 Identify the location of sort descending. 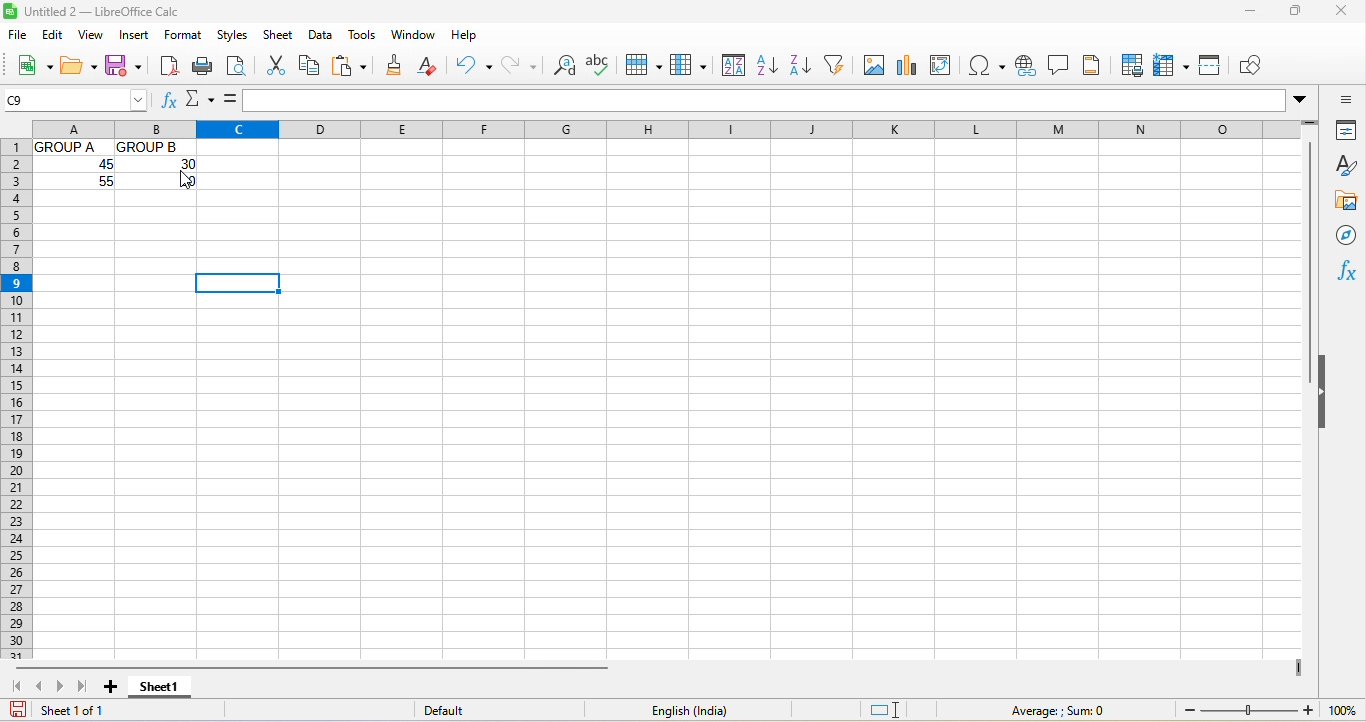
(806, 64).